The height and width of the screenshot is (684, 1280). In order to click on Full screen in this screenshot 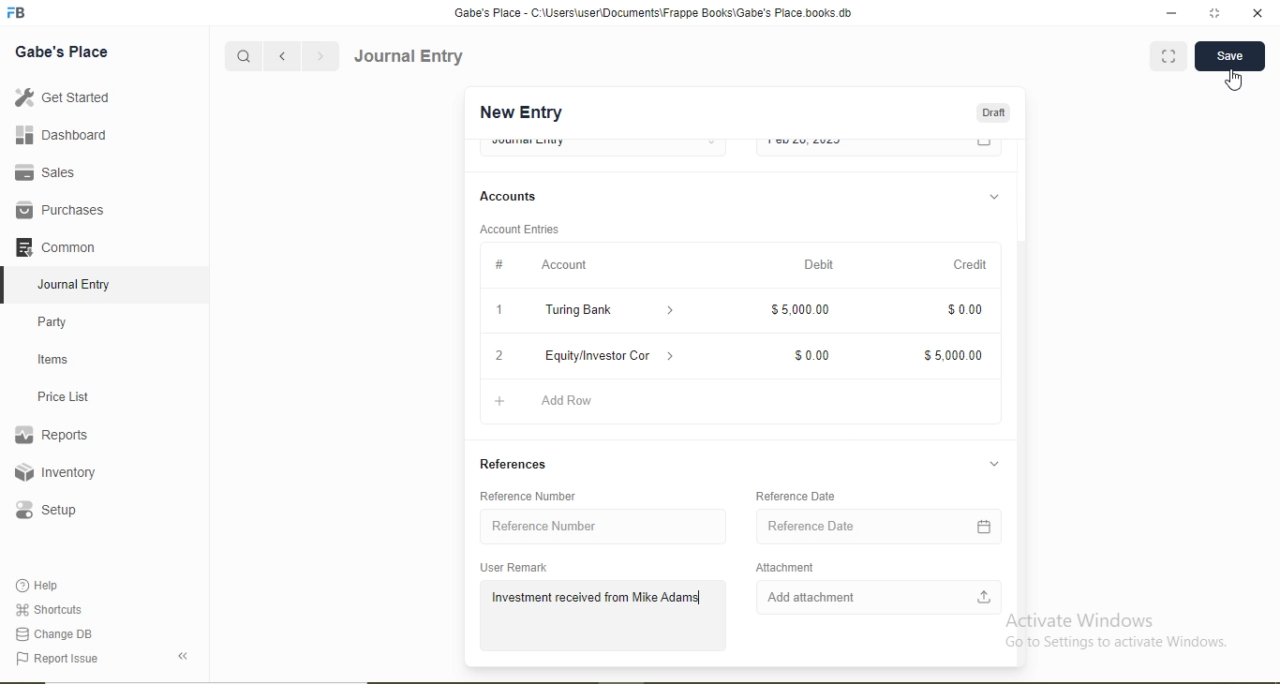, I will do `click(1169, 55)`.